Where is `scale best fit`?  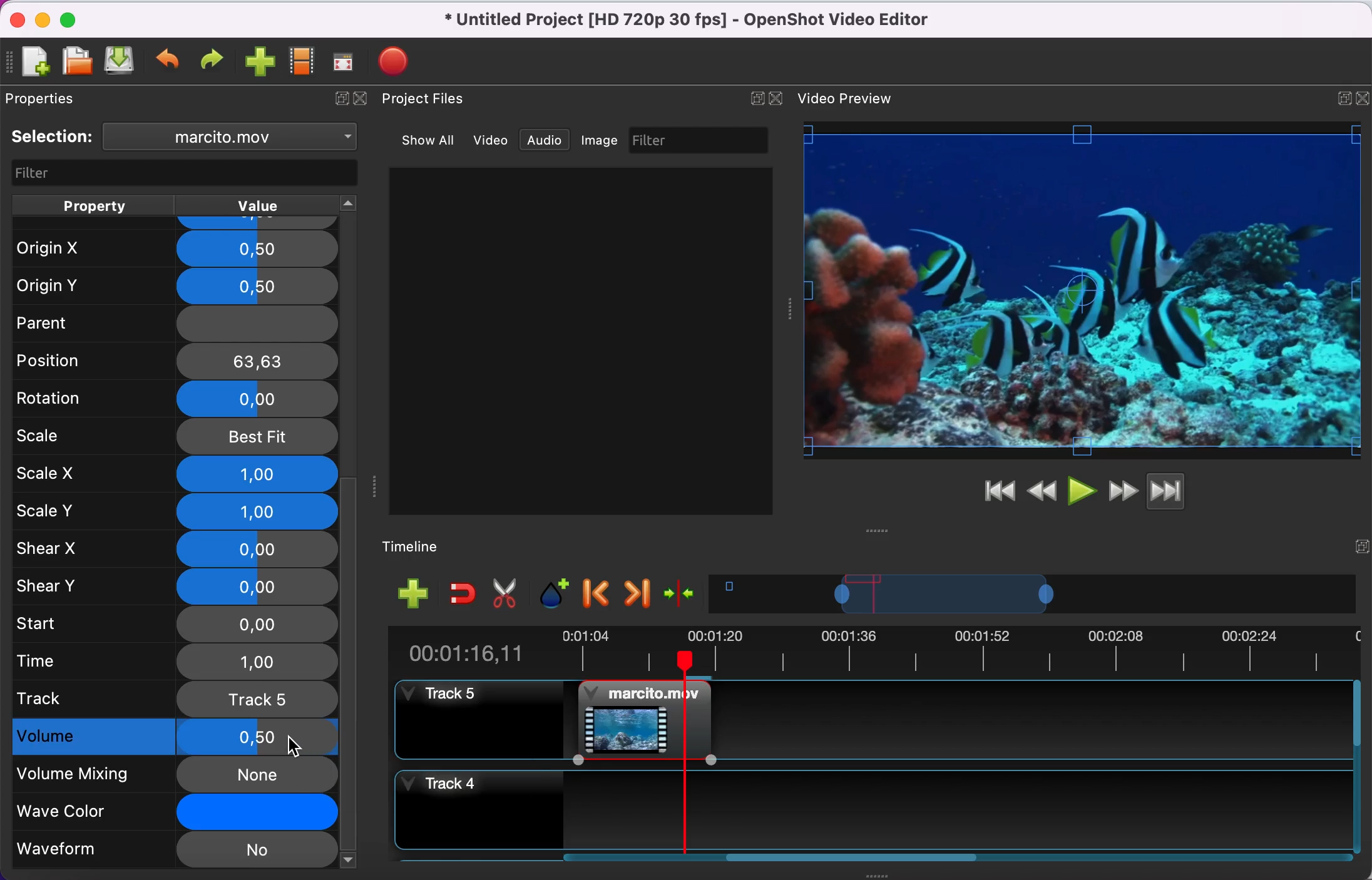
scale best fit is located at coordinates (177, 436).